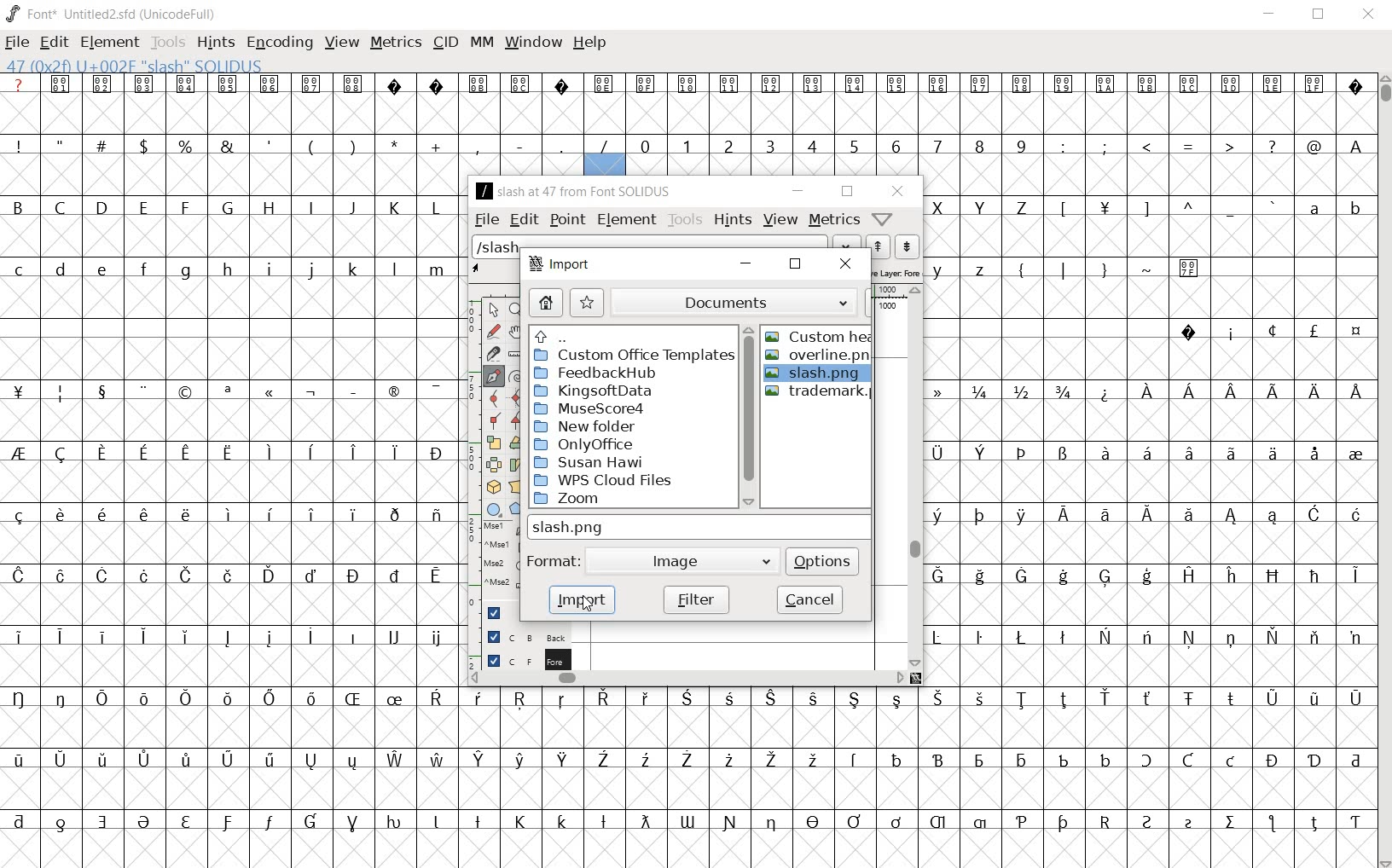  I want to click on metrics, so click(834, 219).